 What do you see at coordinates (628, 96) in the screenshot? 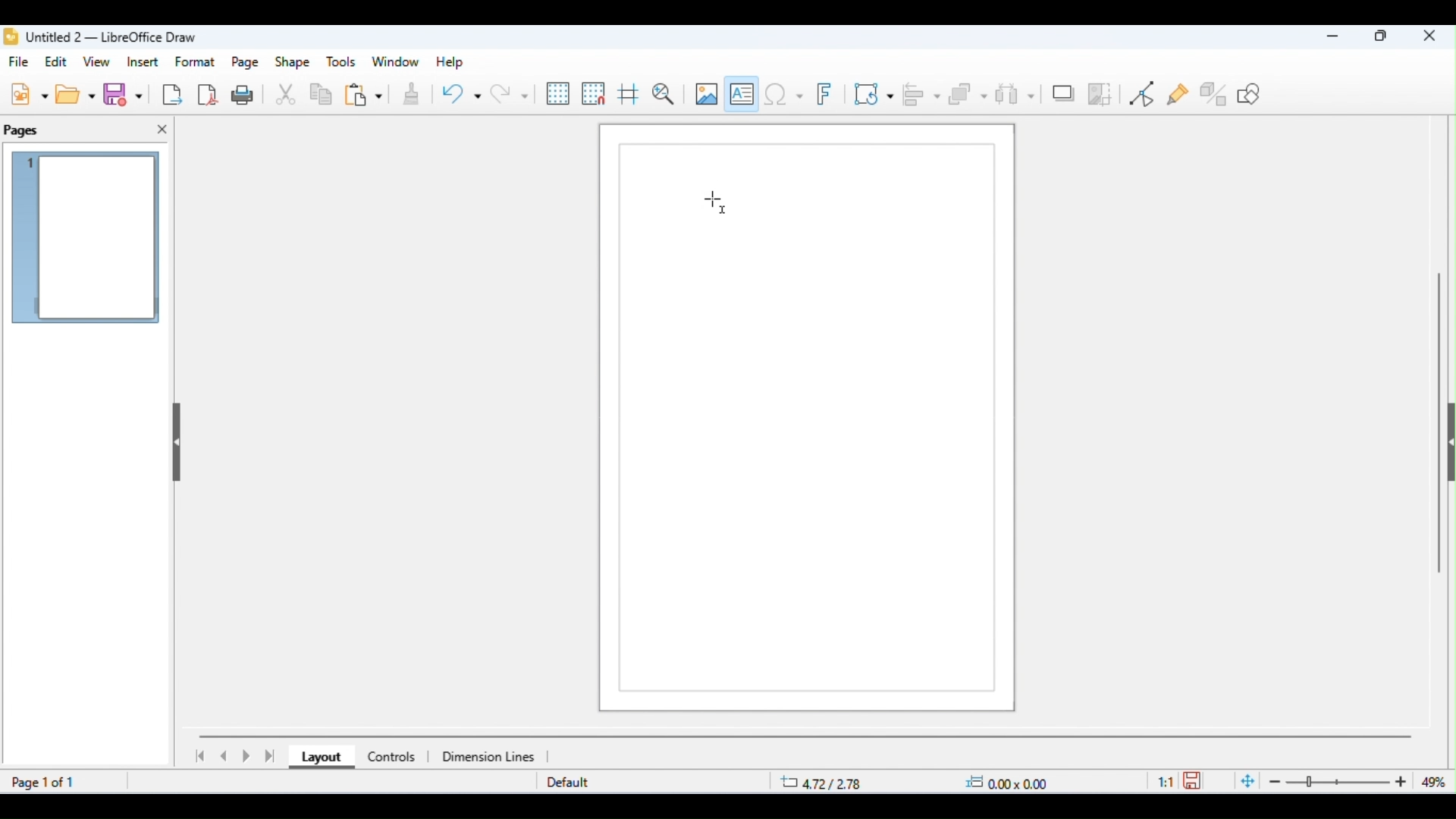
I see `show helplines while moving` at bounding box center [628, 96].